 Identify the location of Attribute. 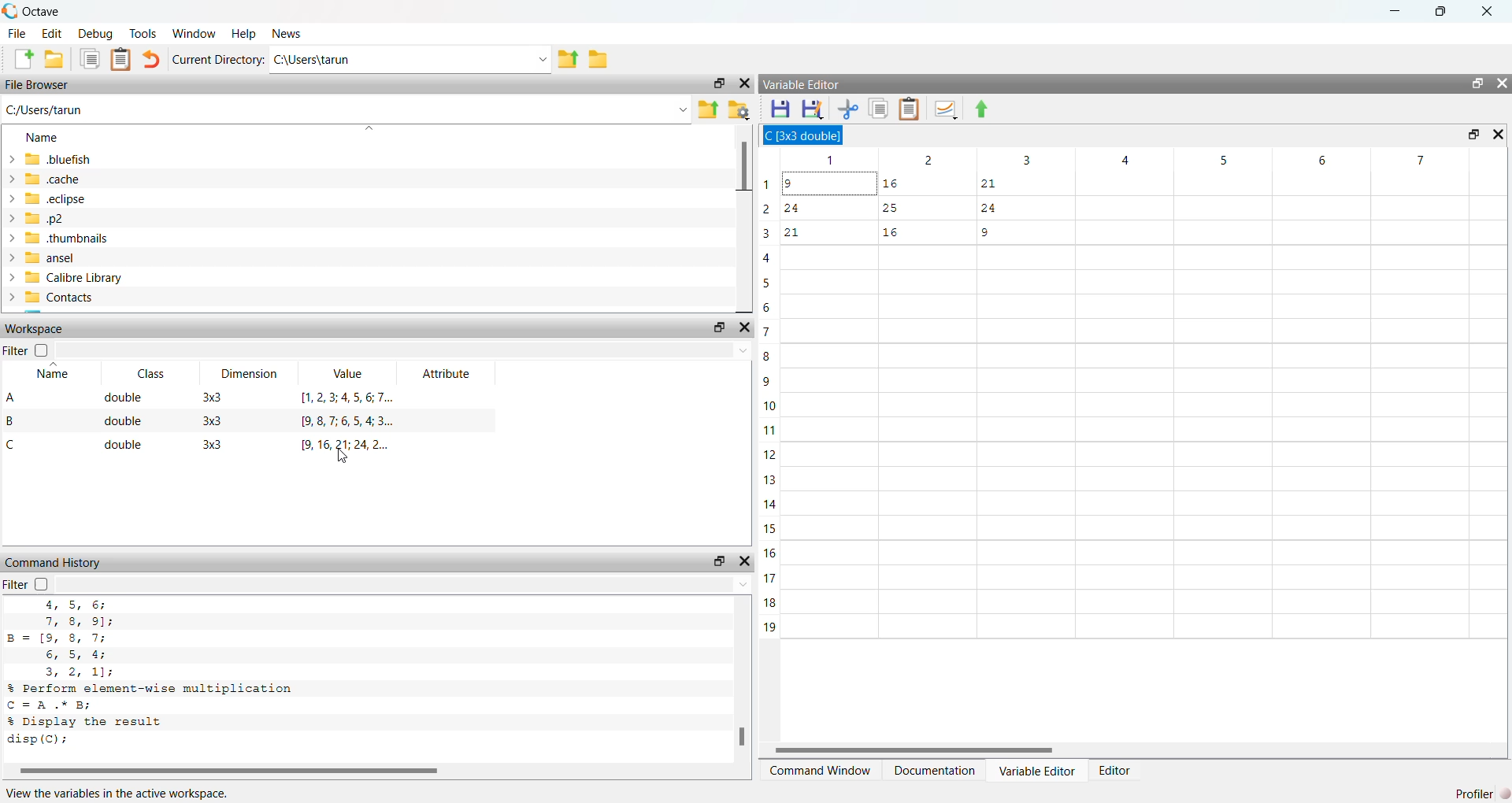
(450, 373).